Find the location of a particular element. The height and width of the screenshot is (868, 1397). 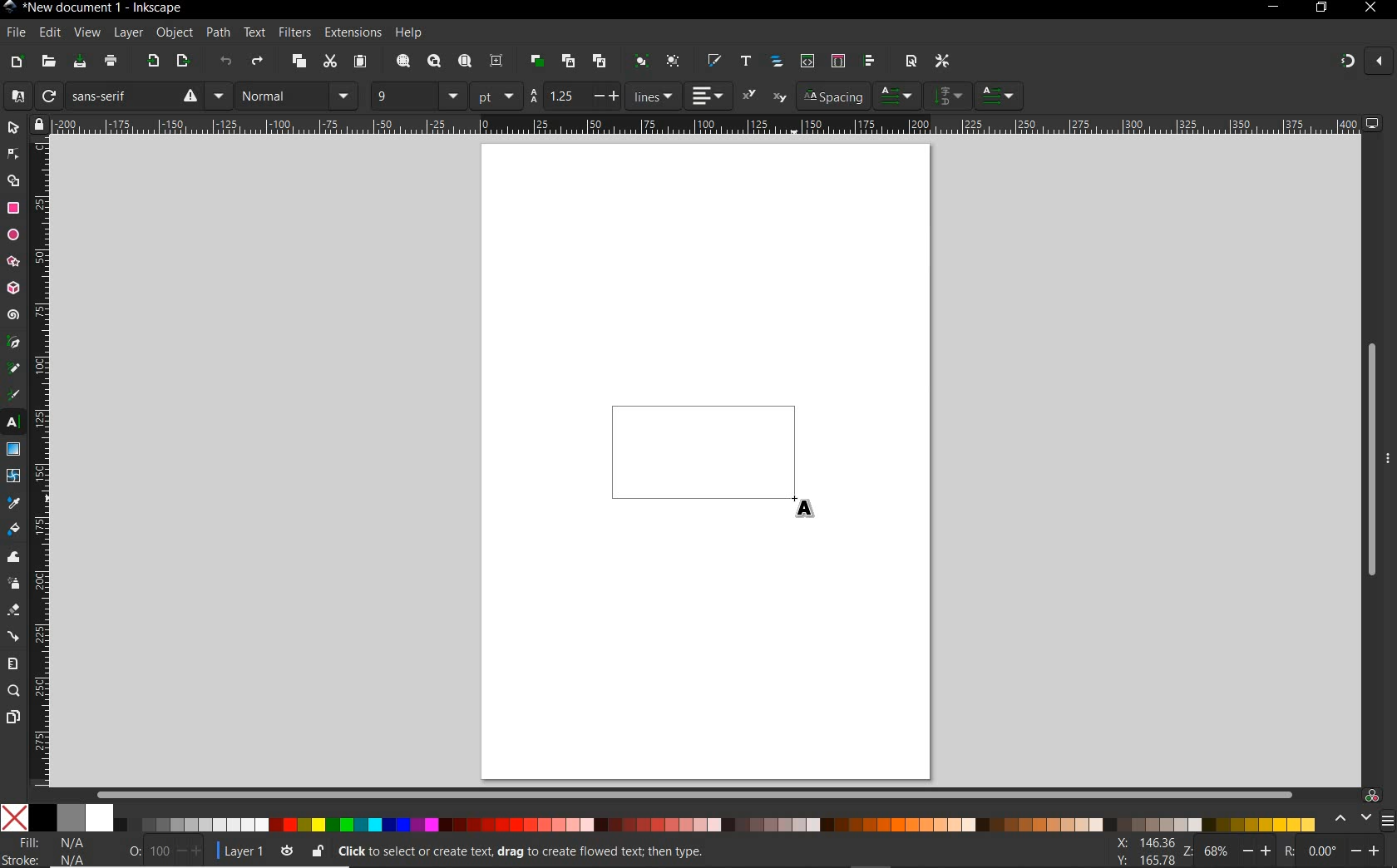

open objects is located at coordinates (778, 62).